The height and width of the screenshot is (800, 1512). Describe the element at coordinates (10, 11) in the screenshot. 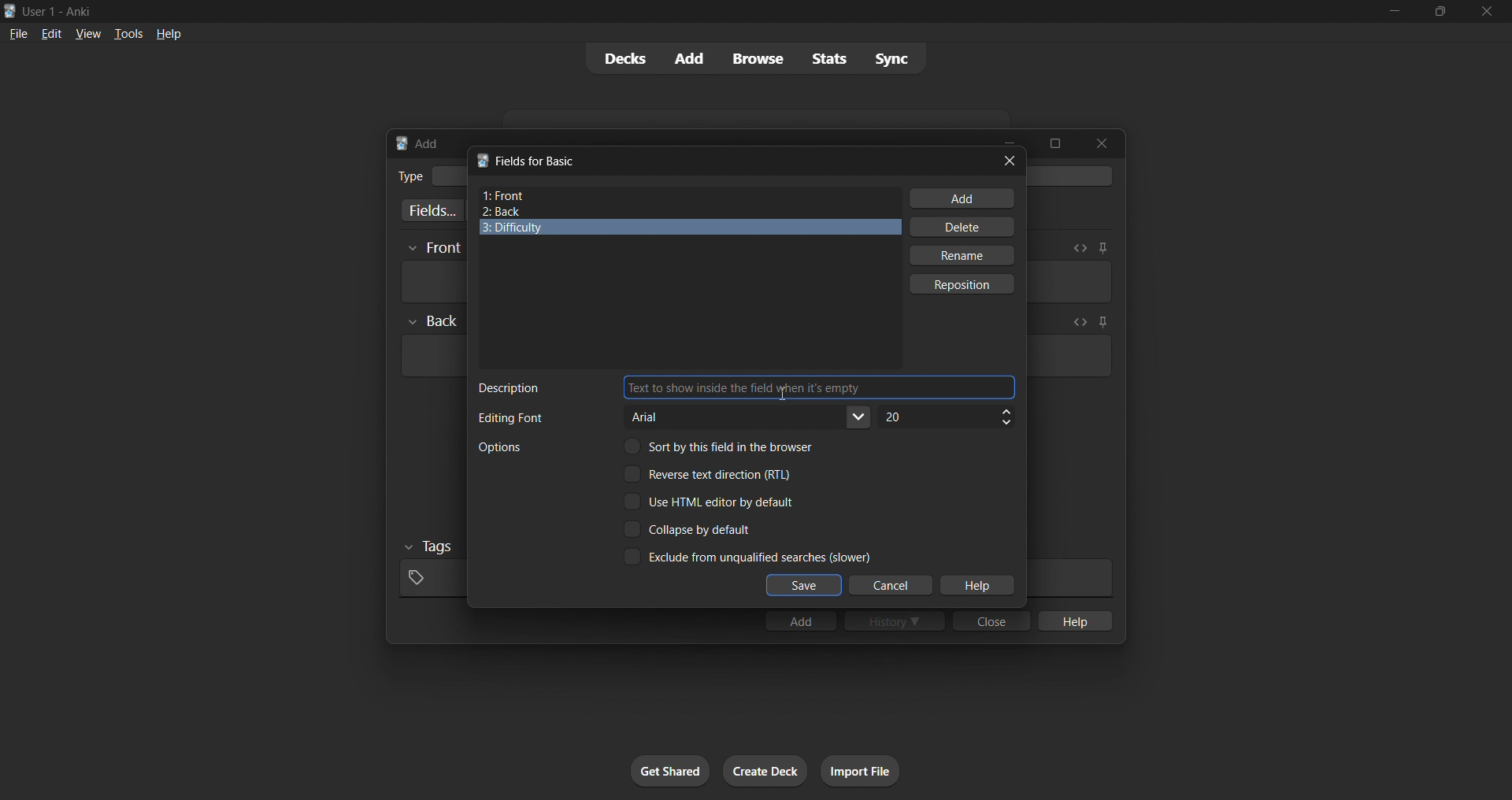

I see `Anki logo` at that location.